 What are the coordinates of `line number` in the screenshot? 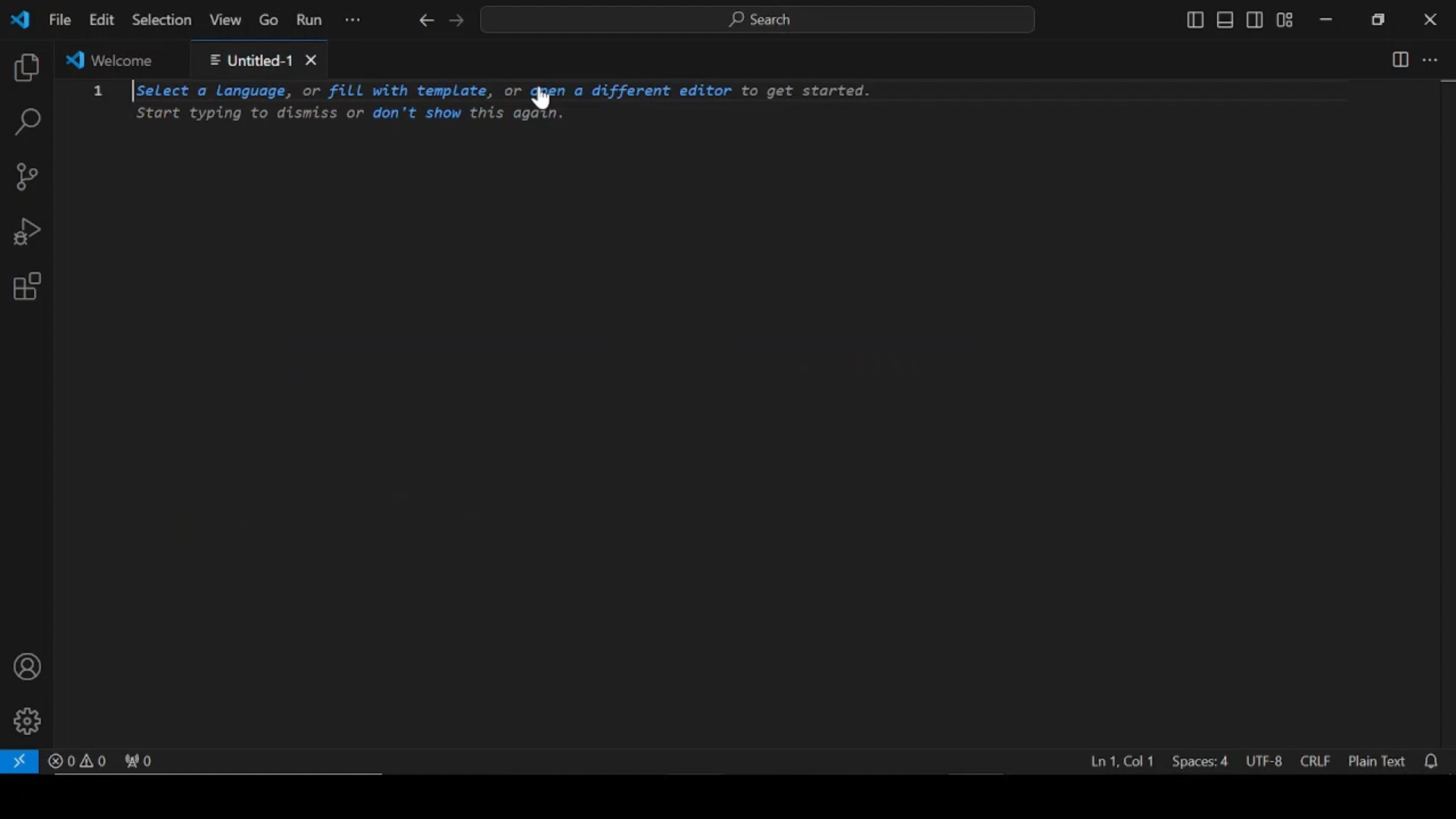 It's located at (99, 96).